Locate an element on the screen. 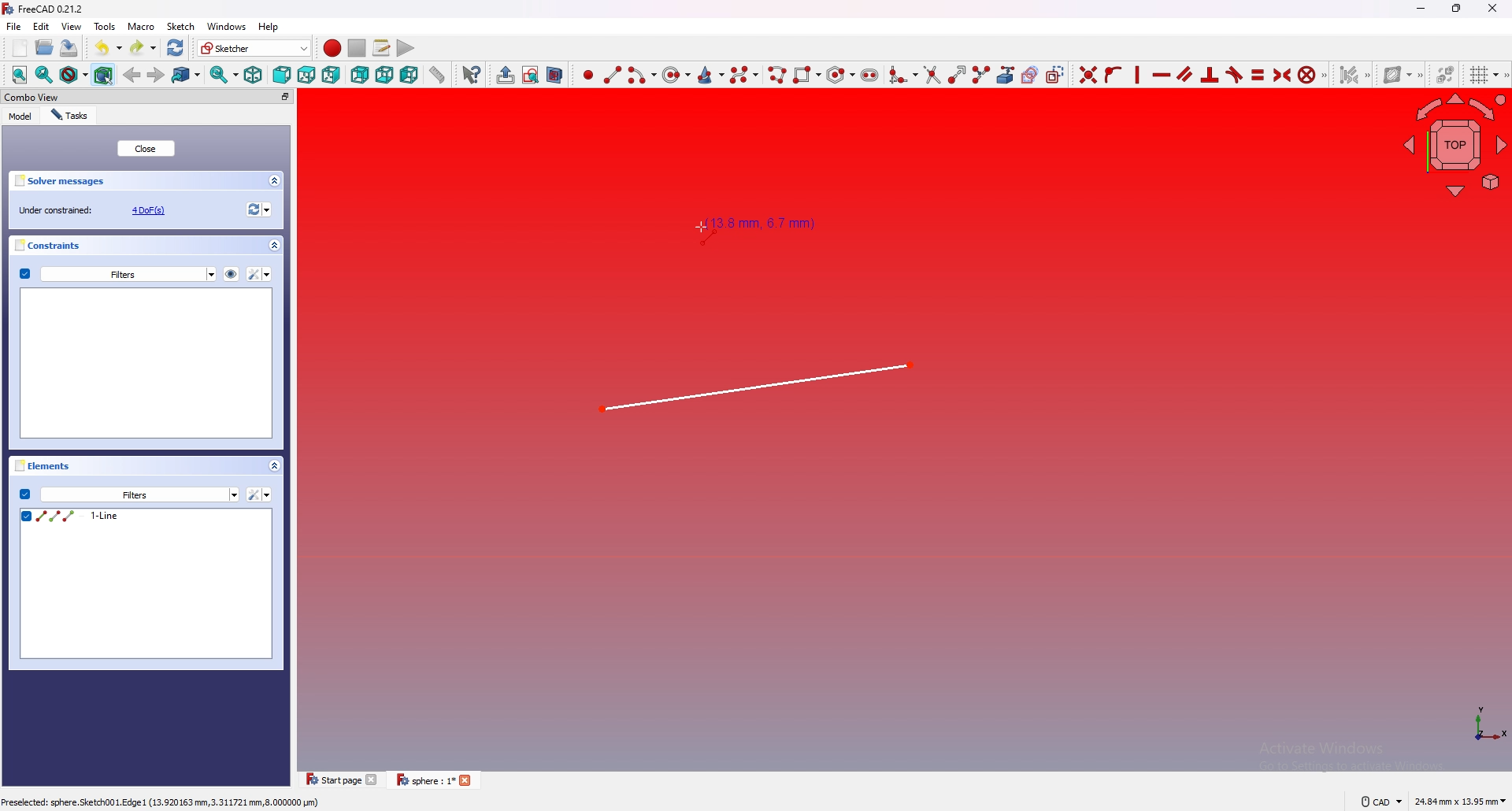 Image resolution: width=1512 pixels, height=811 pixels. Redo is located at coordinates (142, 46).